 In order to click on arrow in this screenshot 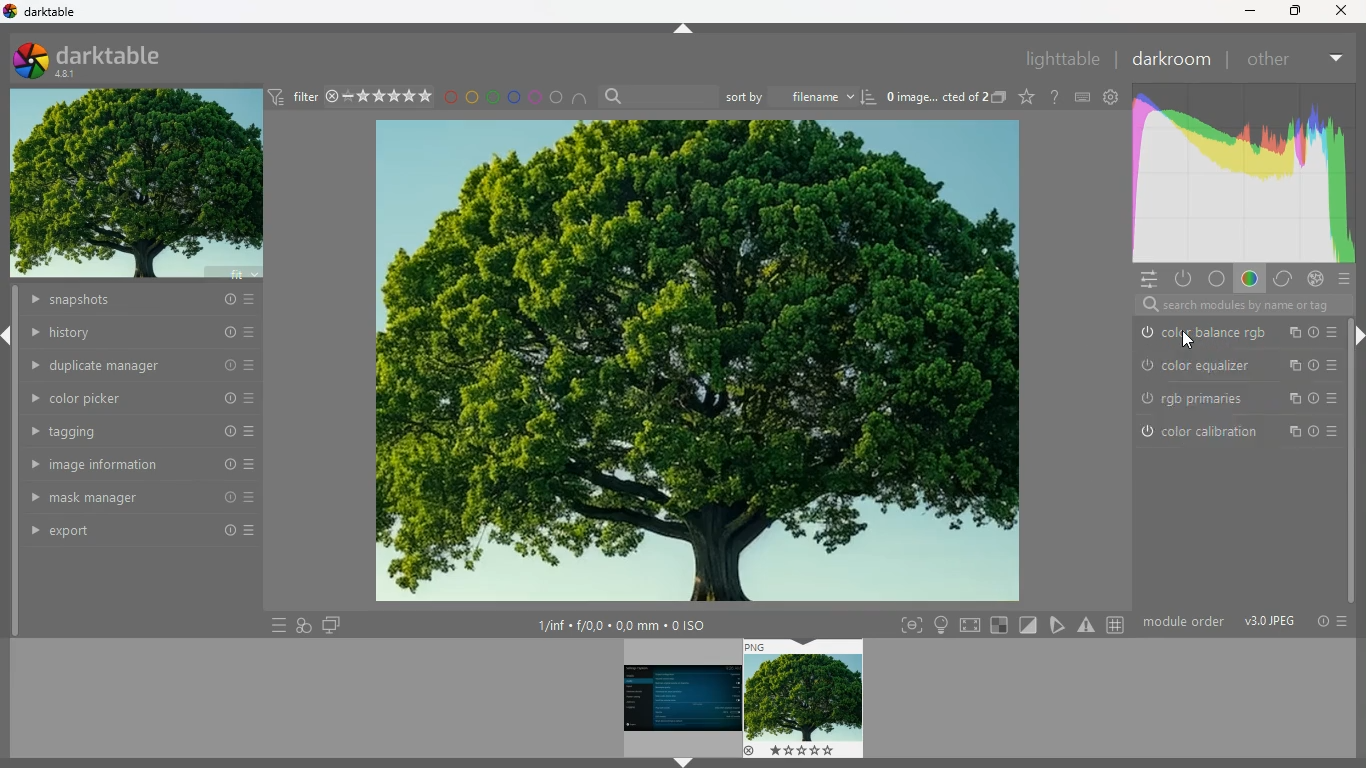, I will do `click(684, 30)`.